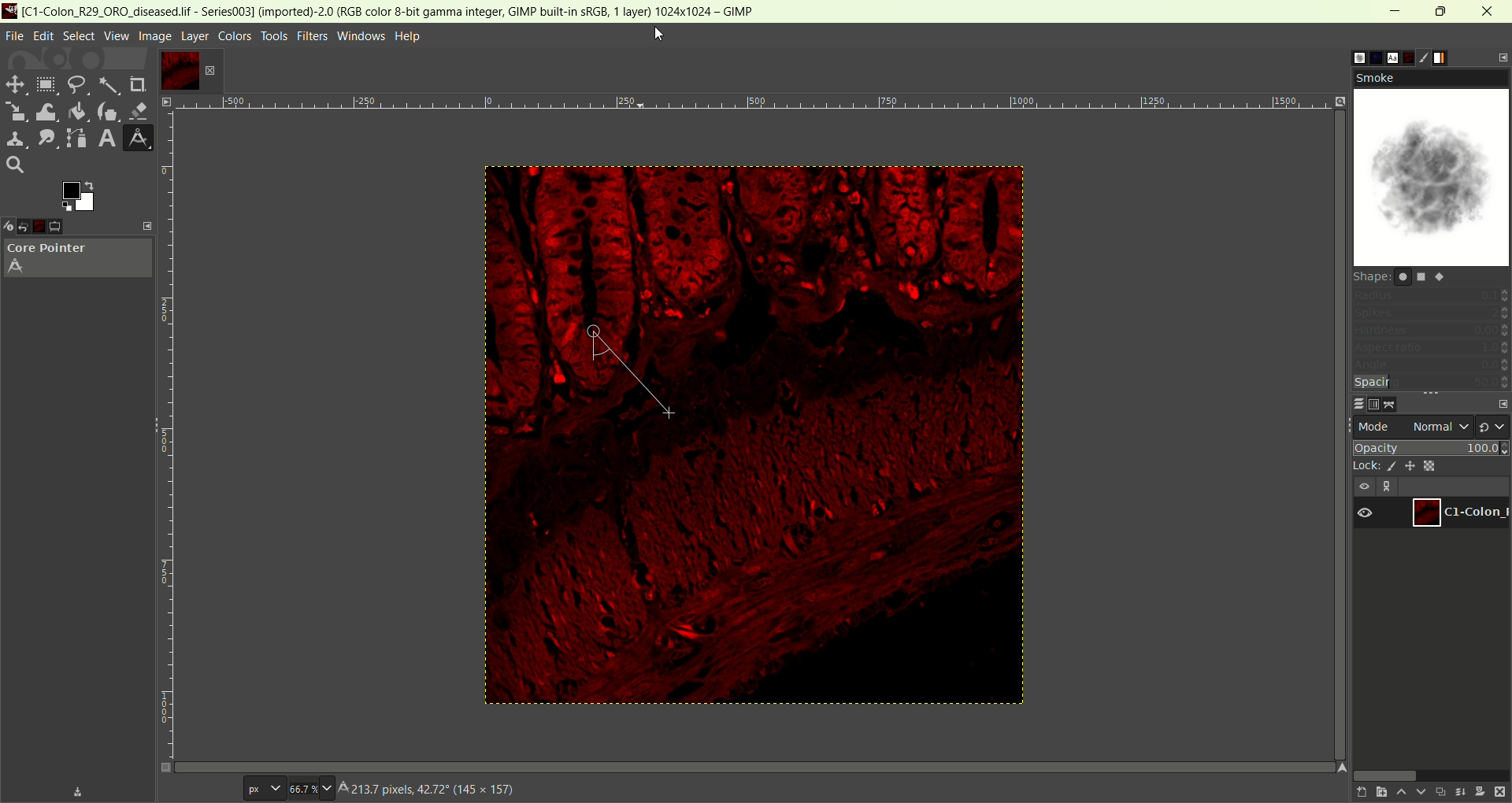  I want to click on spikes, so click(1431, 315).